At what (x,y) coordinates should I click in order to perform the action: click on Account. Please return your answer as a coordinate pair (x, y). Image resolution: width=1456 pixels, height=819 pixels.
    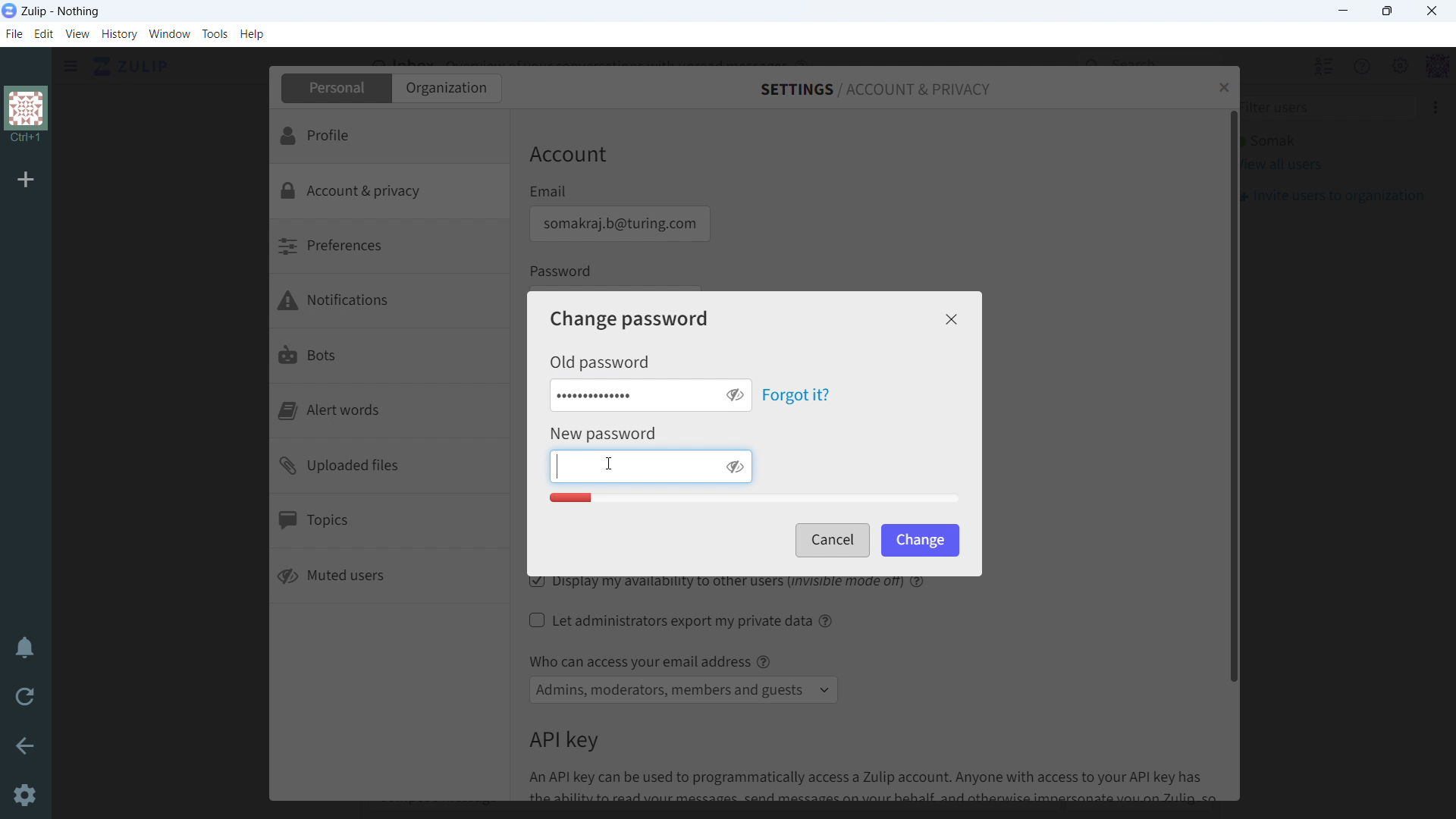
    Looking at the image, I should click on (569, 156).